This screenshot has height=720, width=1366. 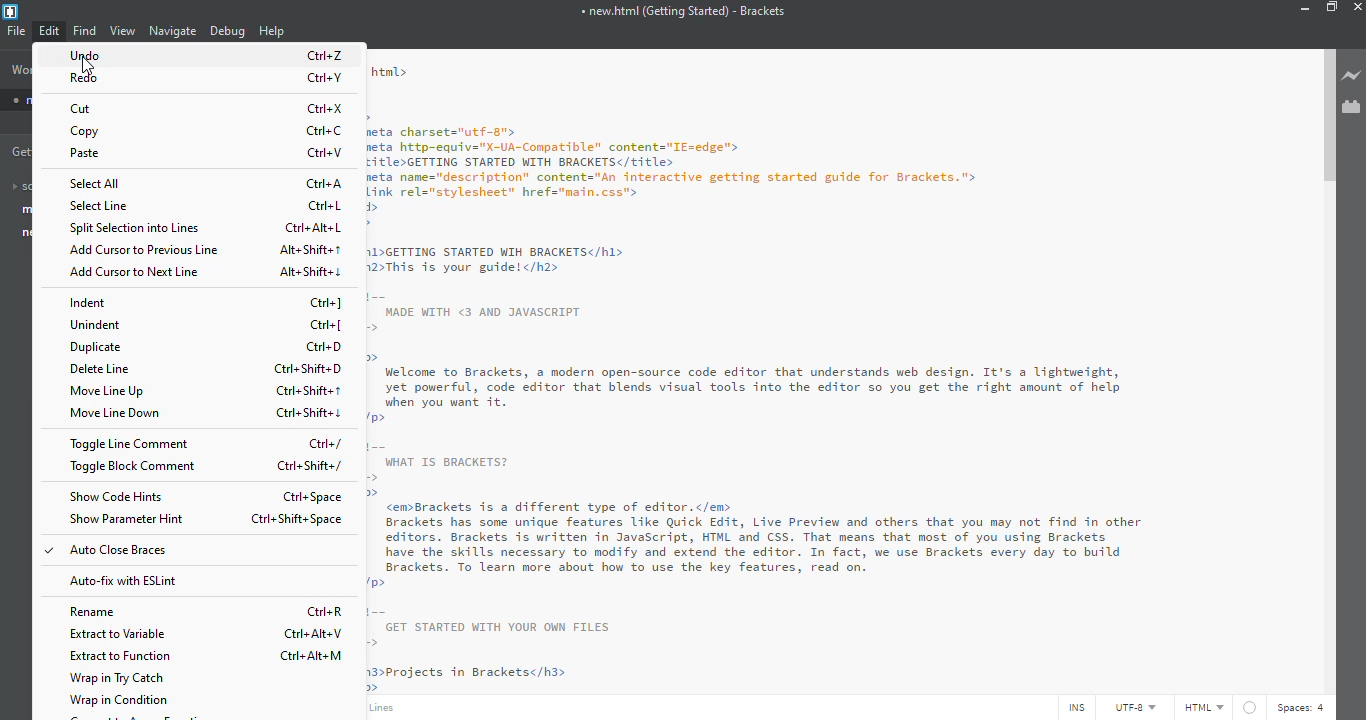 What do you see at coordinates (387, 709) in the screenshot?
I see `line 13, column 31- 208 lines` at bounding box center [387, 709].